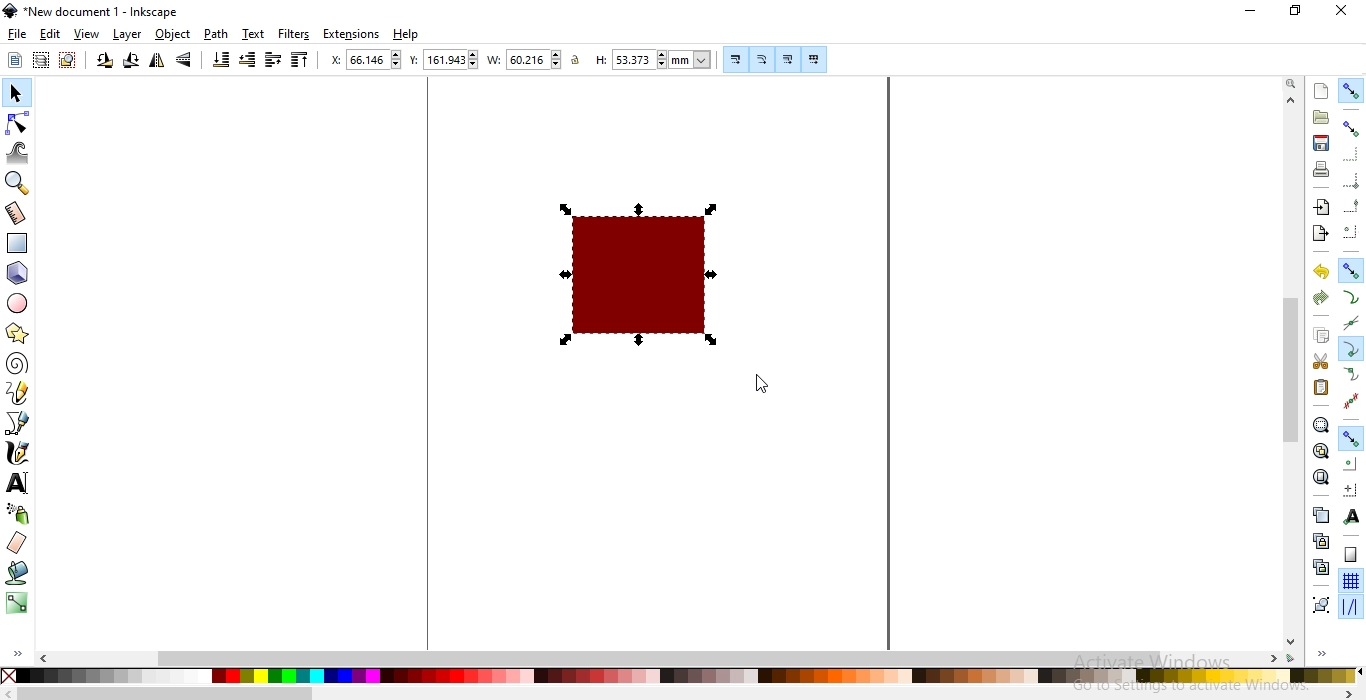 This screenshot has height=700, width=1366. Describe the element at coordinates (17, 214) in the screenshot. I see `measurement tool` at that location.